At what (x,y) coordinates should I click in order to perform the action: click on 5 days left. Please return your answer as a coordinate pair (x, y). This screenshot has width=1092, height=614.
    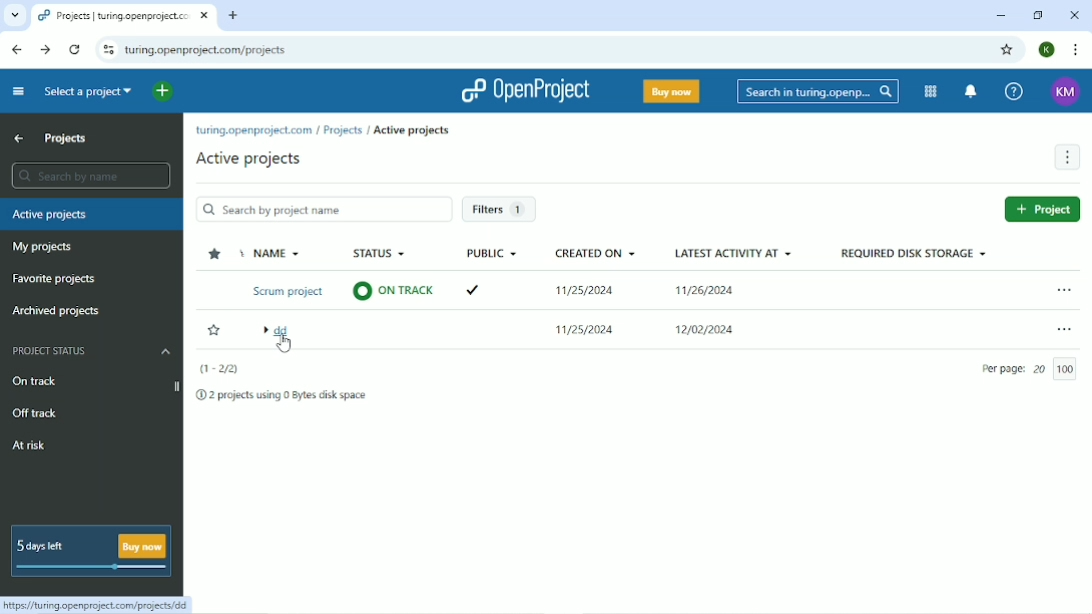
    Looking at the image, I should click on (92, 550).